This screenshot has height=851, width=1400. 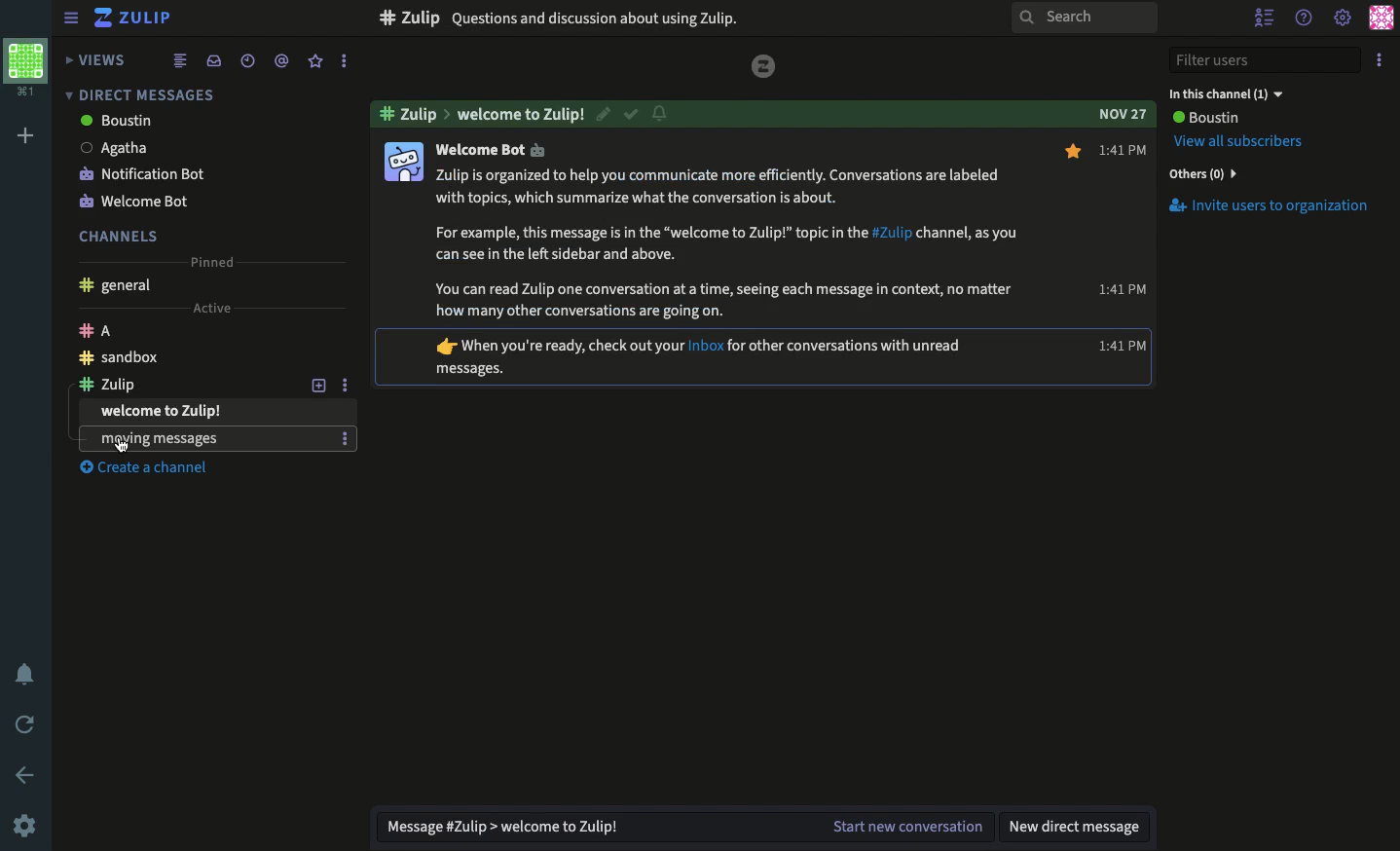 I want to click on welcome to zulip, so click(x=182, y=412).